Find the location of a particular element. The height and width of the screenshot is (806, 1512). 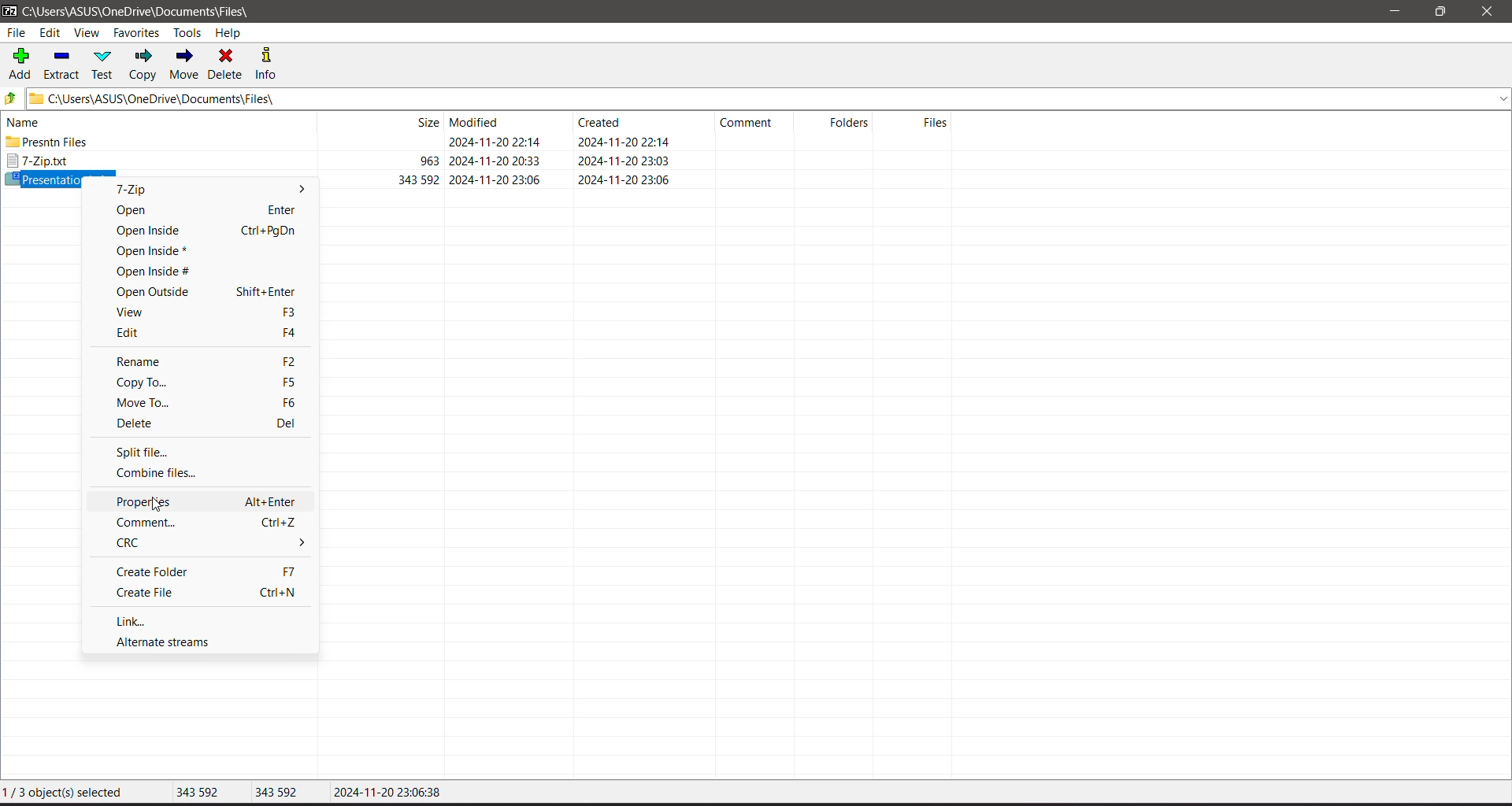

Open is located at coordinates (196, 211).